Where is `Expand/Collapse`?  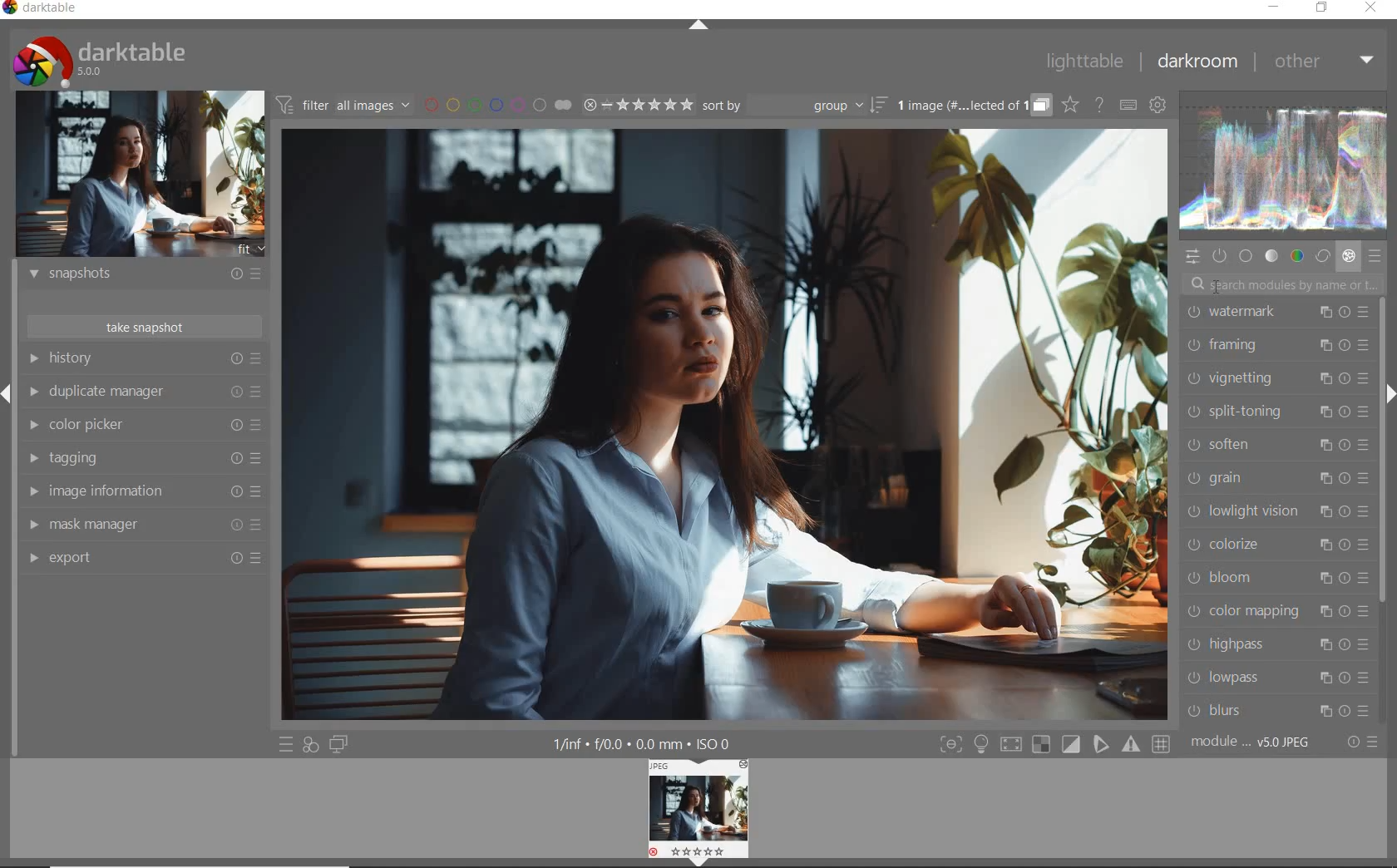 Expand/Collapse is located at coordinates (8, 392).